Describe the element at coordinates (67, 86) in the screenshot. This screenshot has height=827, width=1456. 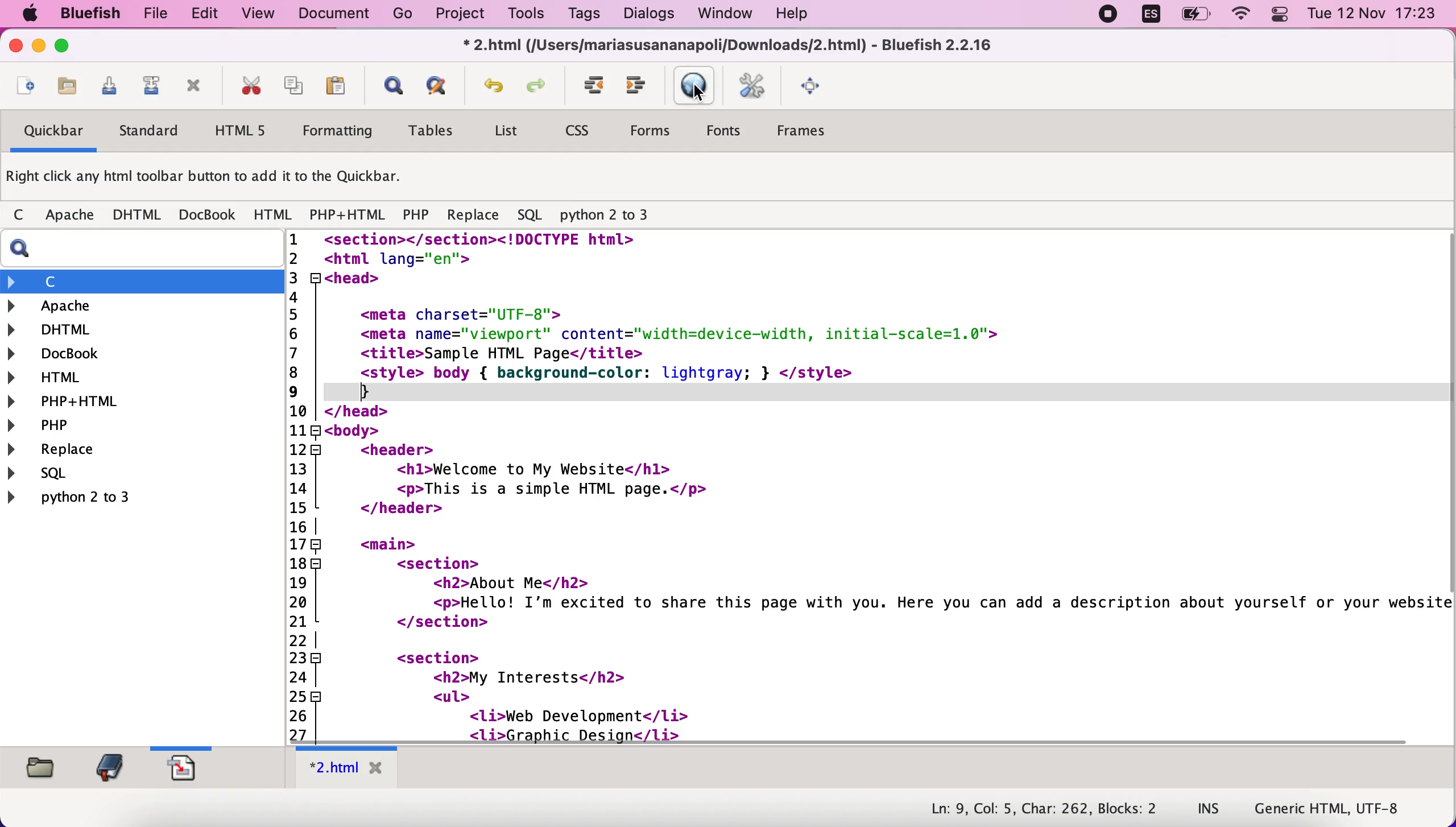
I see `open file` at that location.